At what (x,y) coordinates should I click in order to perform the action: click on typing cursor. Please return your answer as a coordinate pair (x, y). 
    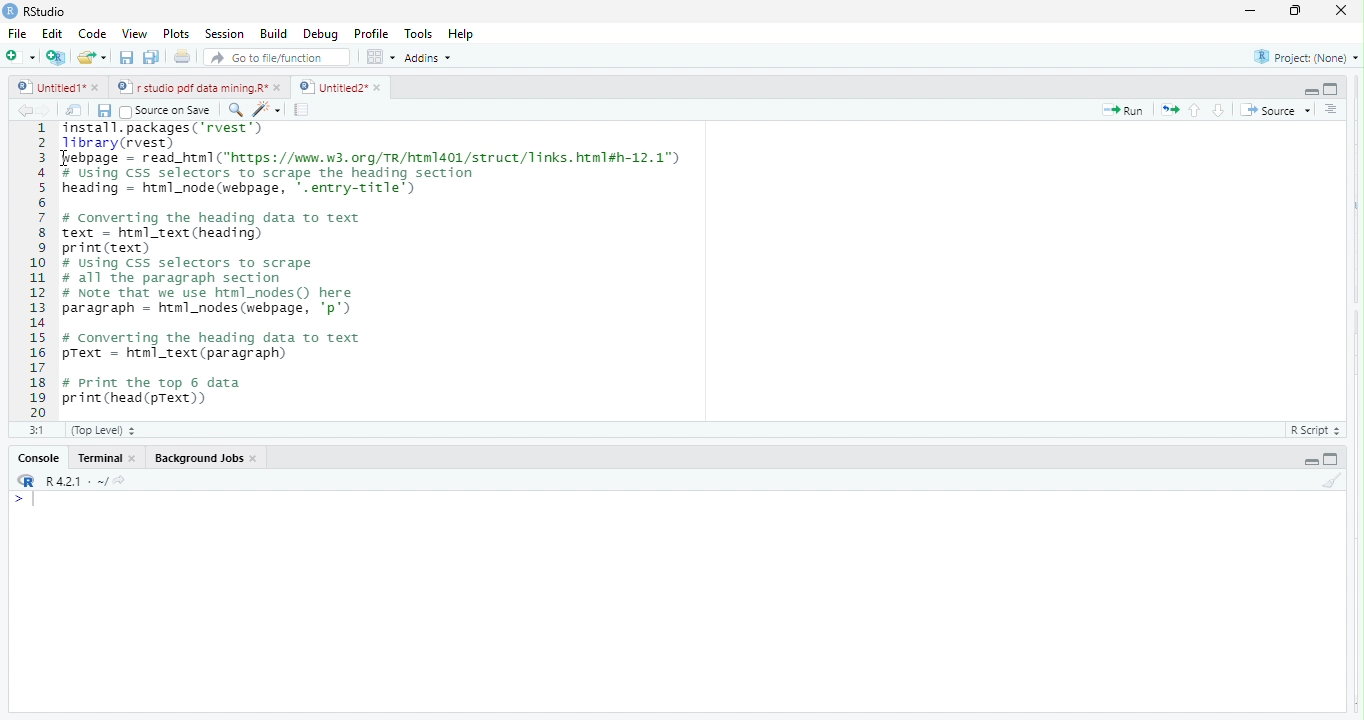
    Looking at the image, I should click on (29, 501).